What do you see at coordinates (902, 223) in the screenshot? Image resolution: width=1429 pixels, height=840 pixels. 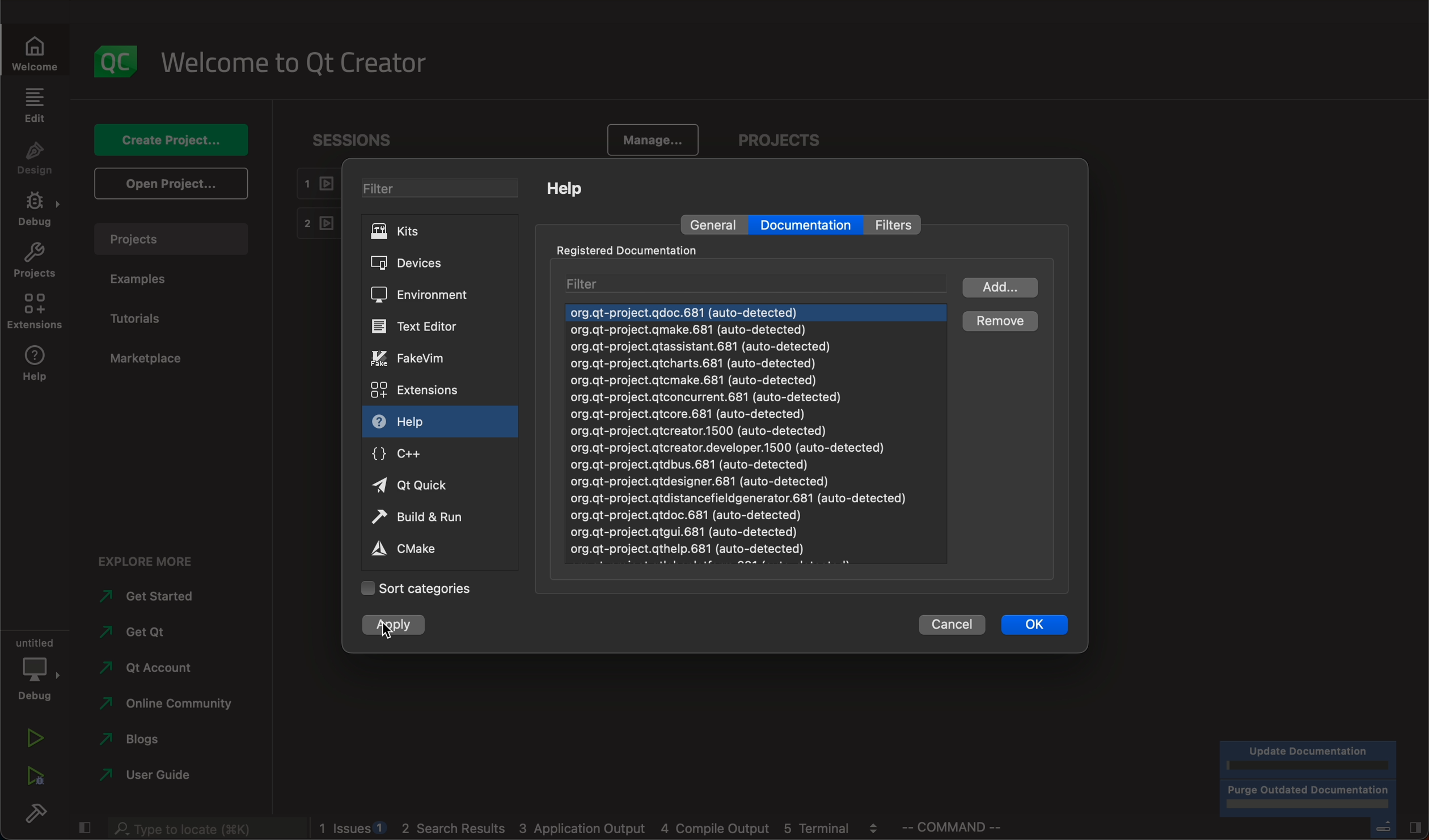 I see `filter` at bounding box center [902, 223].